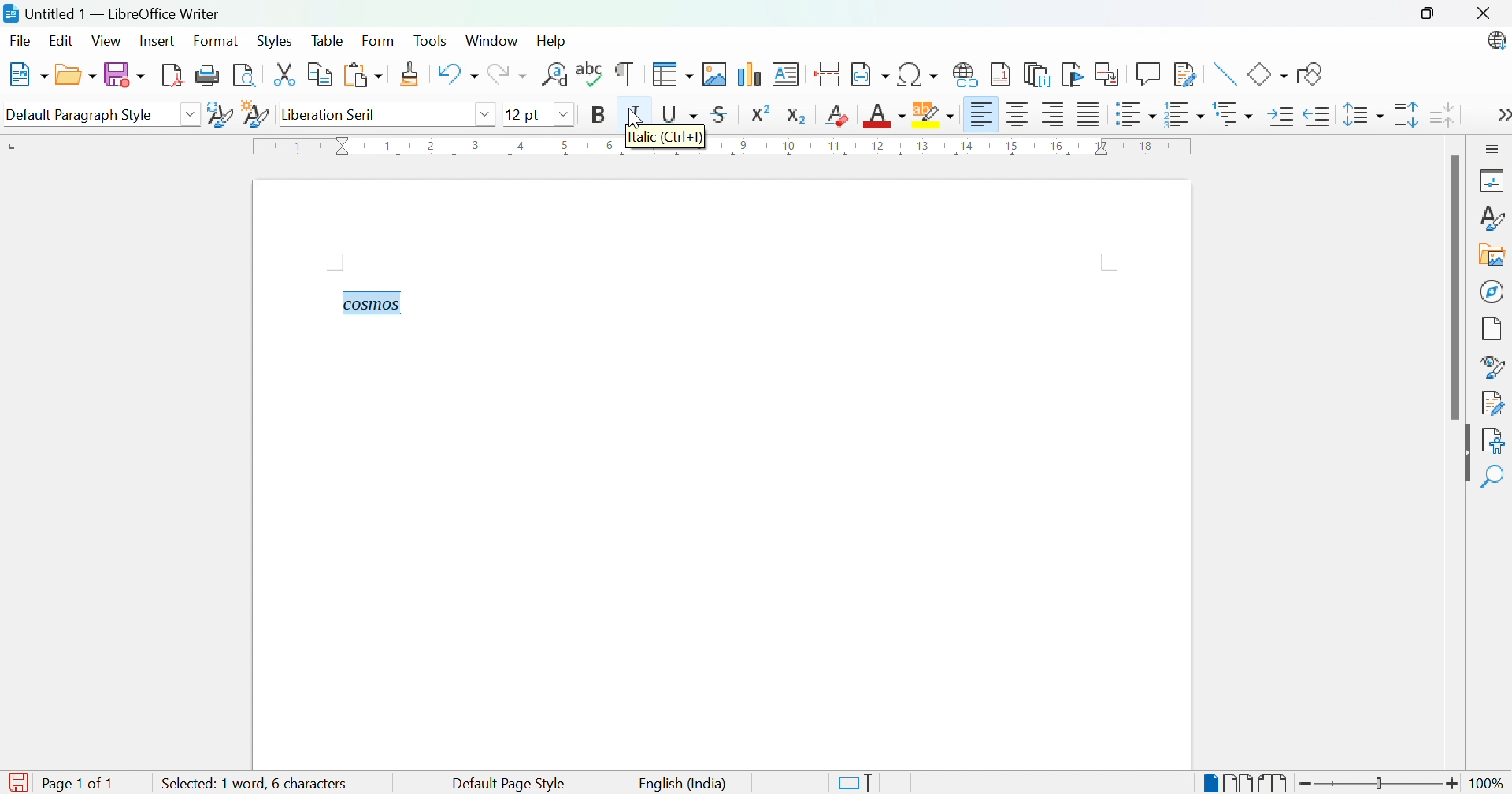 This screenshot has width=1512, height=794. I want to click on Scroll bar, so click(1449, 289).